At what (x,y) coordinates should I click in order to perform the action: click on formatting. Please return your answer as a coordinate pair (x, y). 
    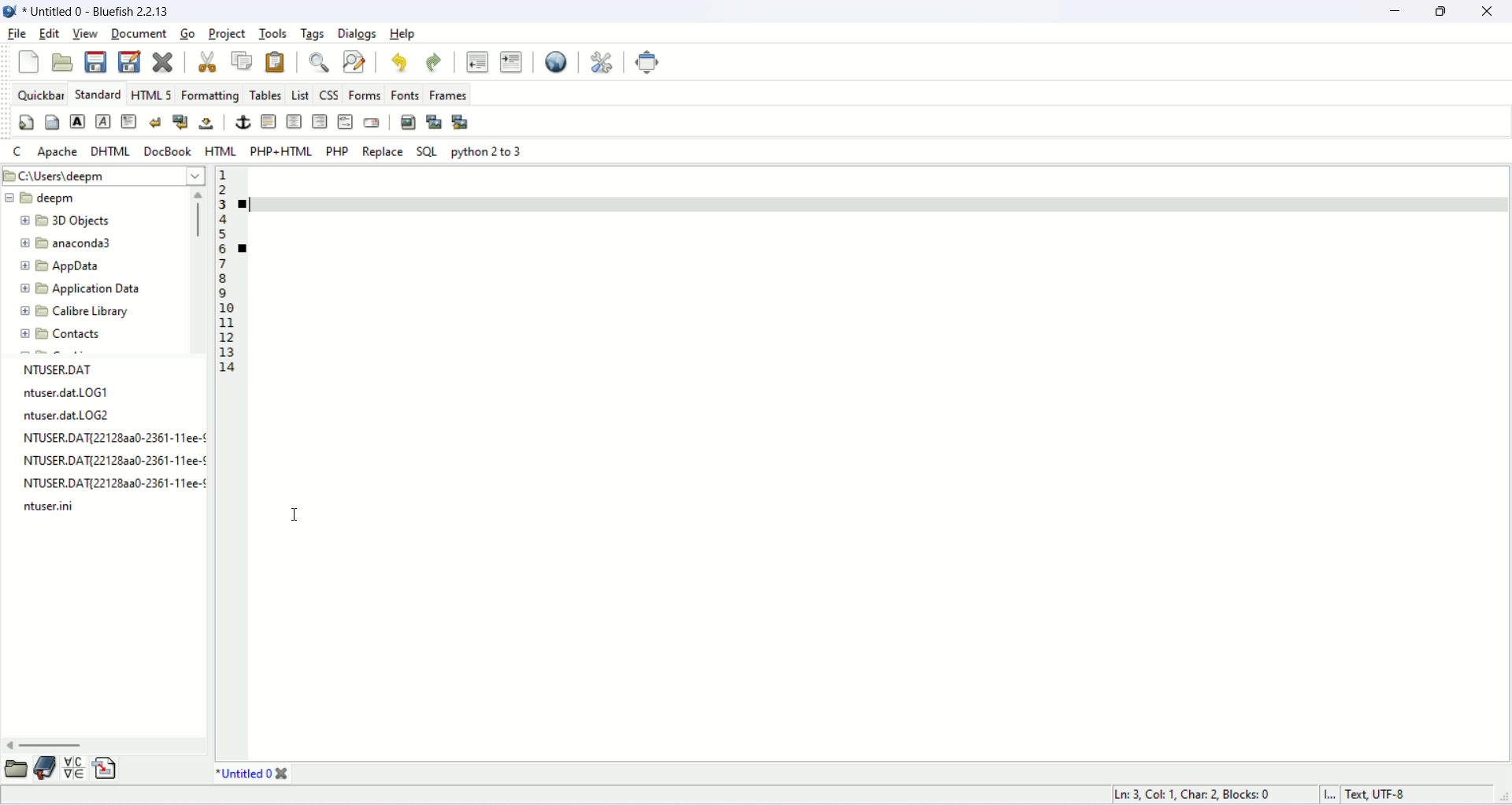
    Looking at the image, I should click on (209, 95).